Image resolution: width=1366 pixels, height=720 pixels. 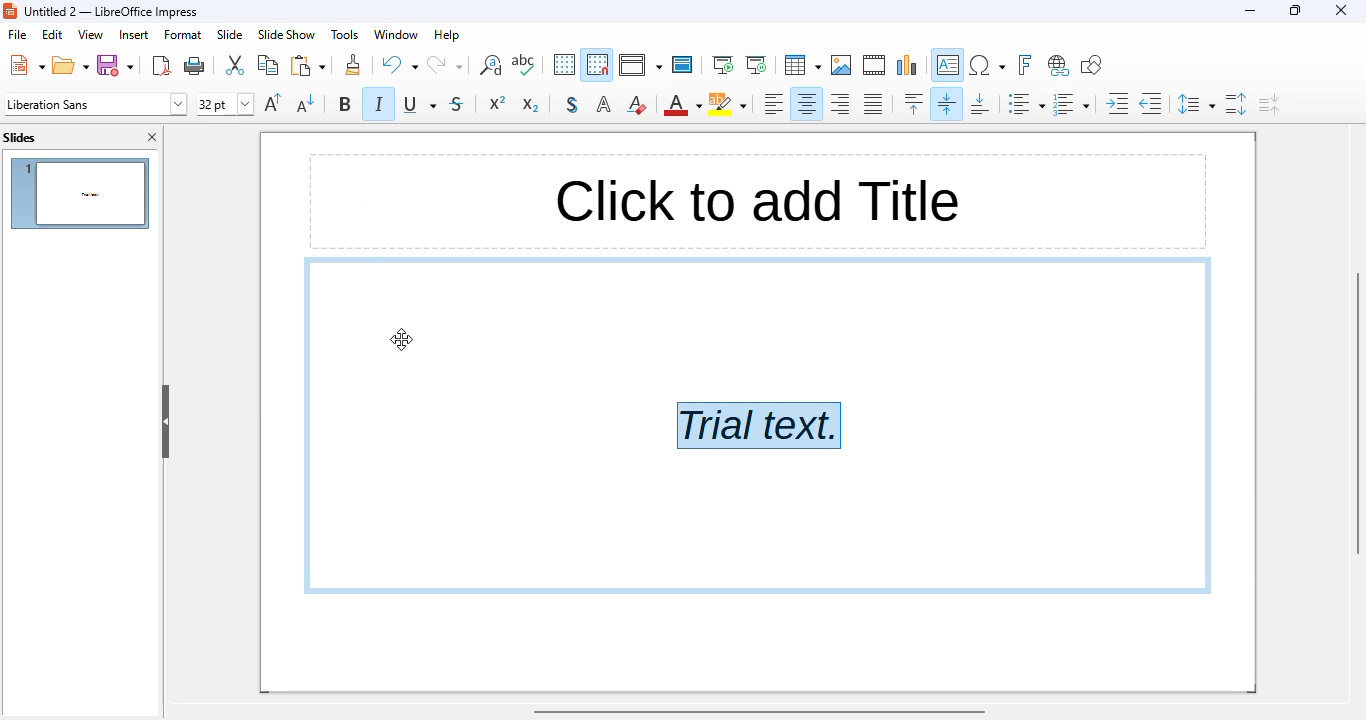 I want to click on justified, so click(x=873, y=103).